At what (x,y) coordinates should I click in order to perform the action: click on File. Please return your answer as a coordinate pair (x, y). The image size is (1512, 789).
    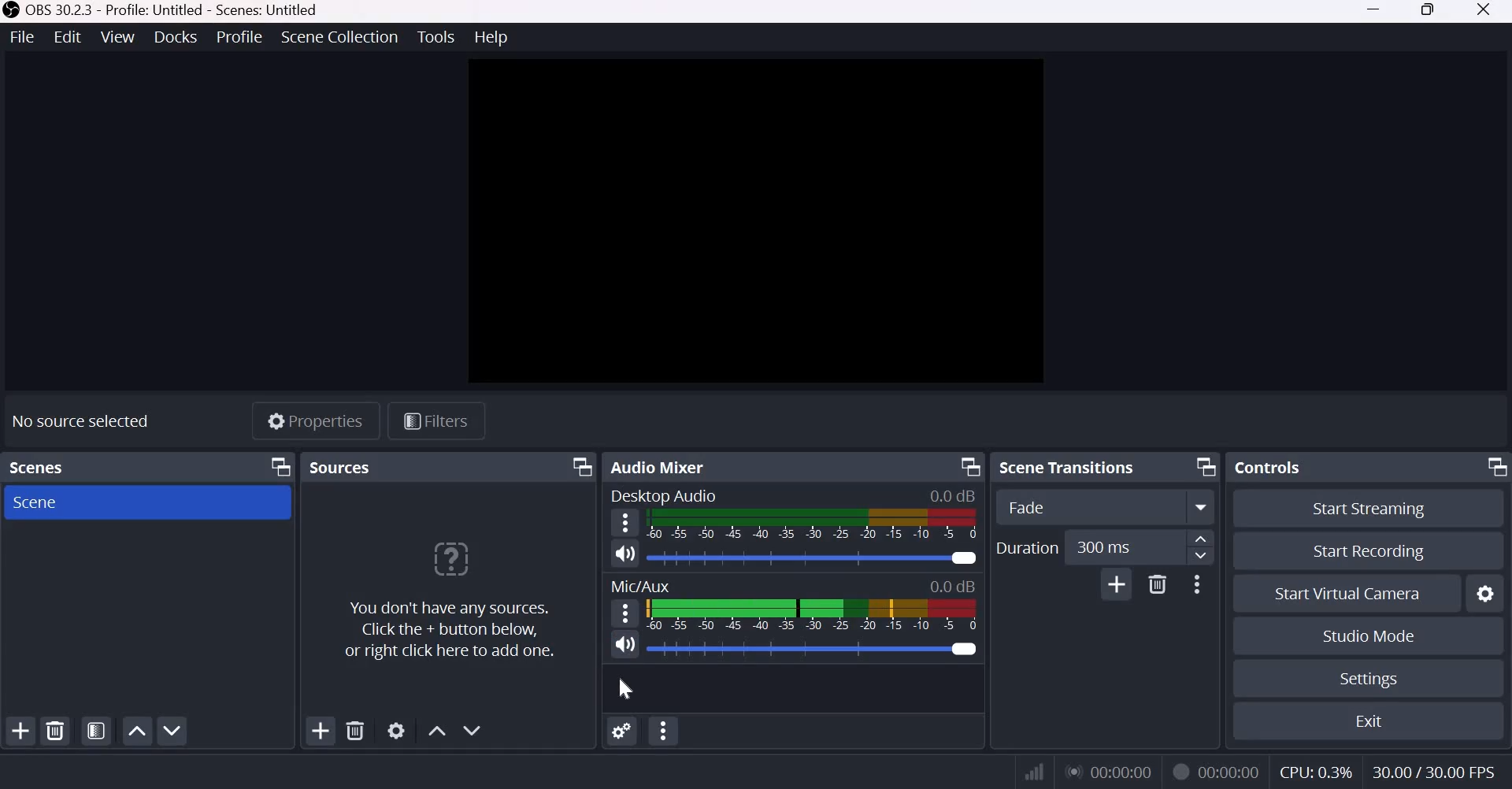
    Looking at the image, I should click on (21, 38).